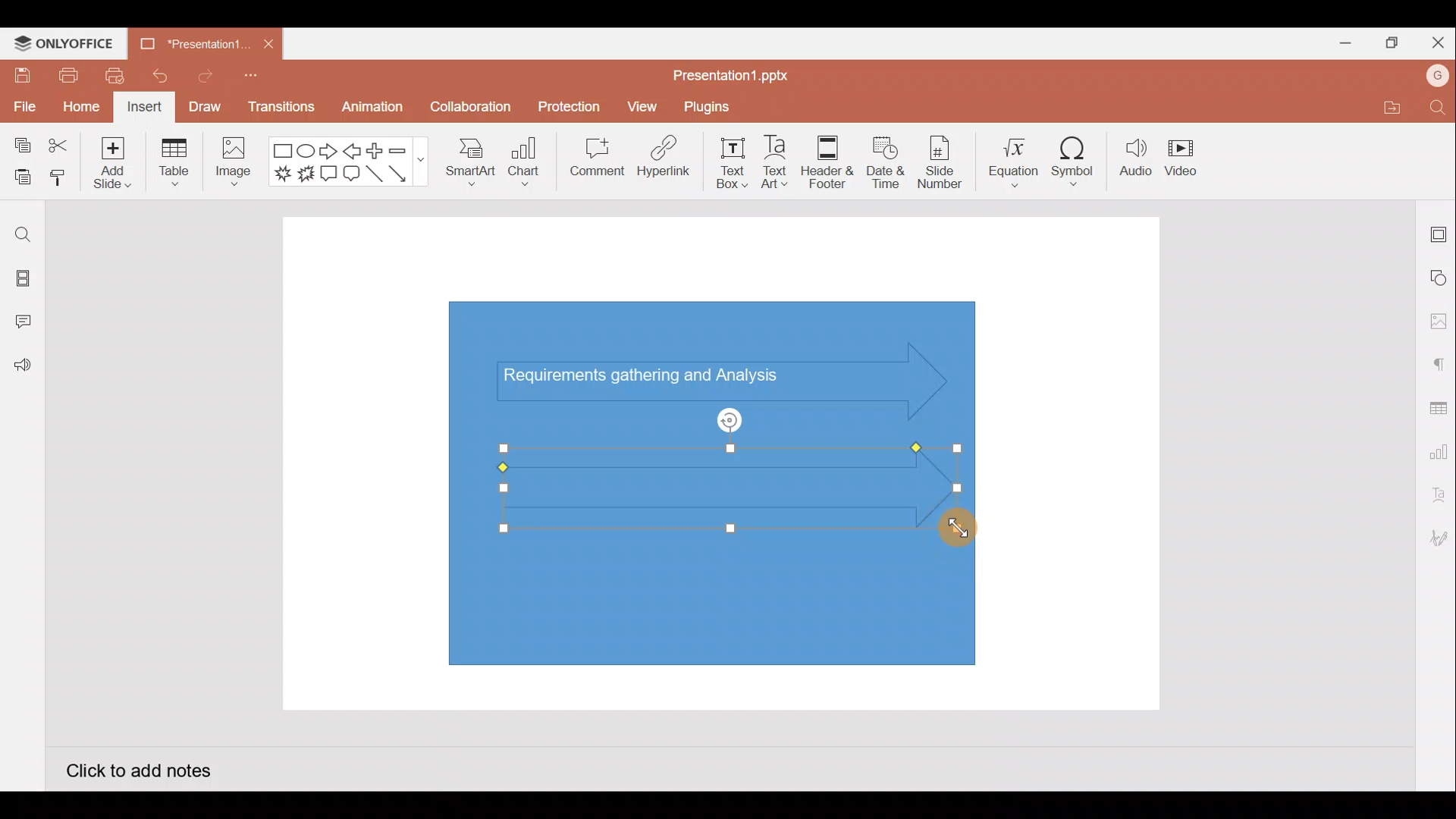 The height and width of the screenshot is (819, 1456). Describe the element at coordinates (1388, 43) in the screenshot. I see `Maximise` at that location.